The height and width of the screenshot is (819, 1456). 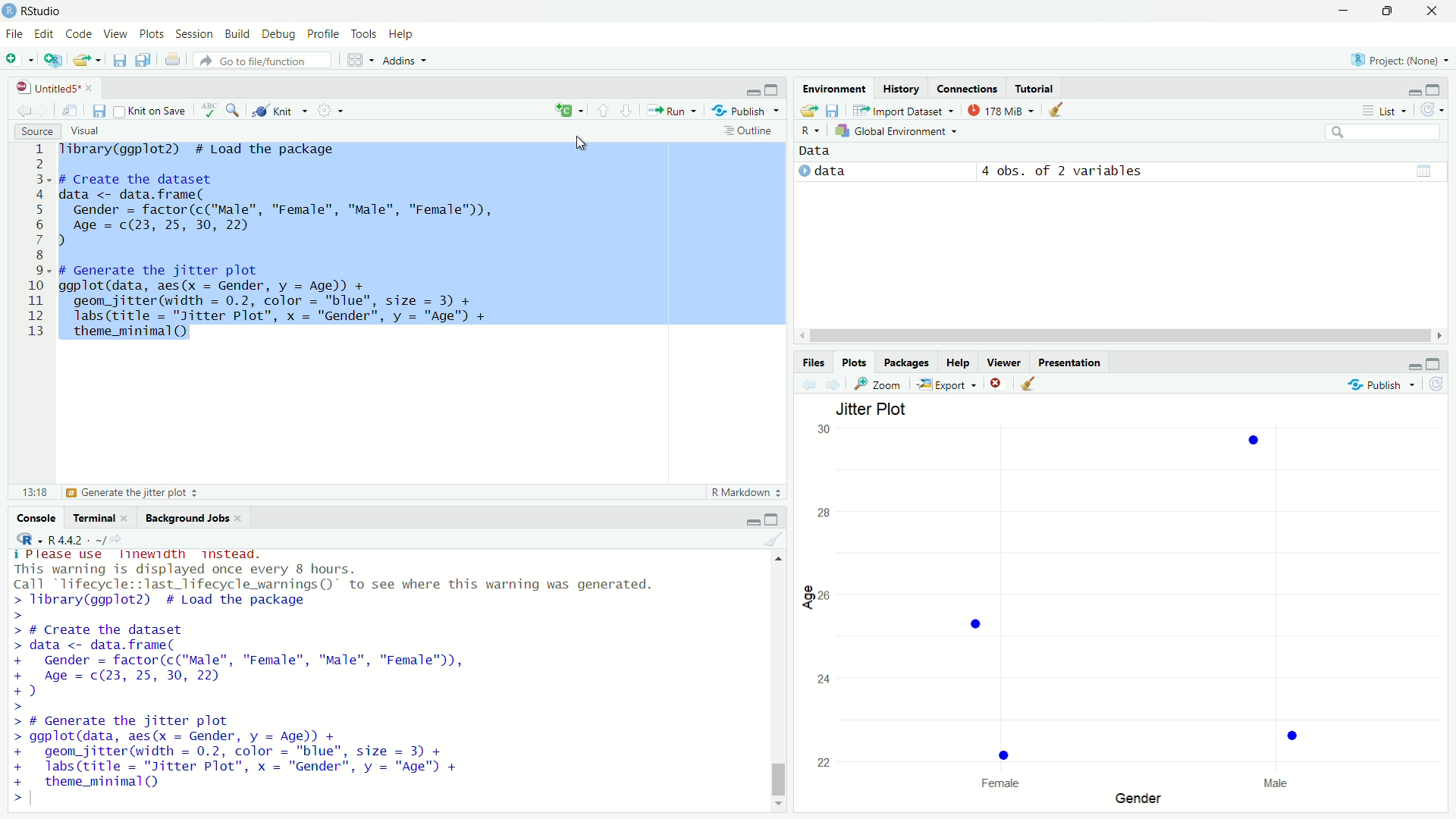 I want to click on console, so click(x=30, y=518).